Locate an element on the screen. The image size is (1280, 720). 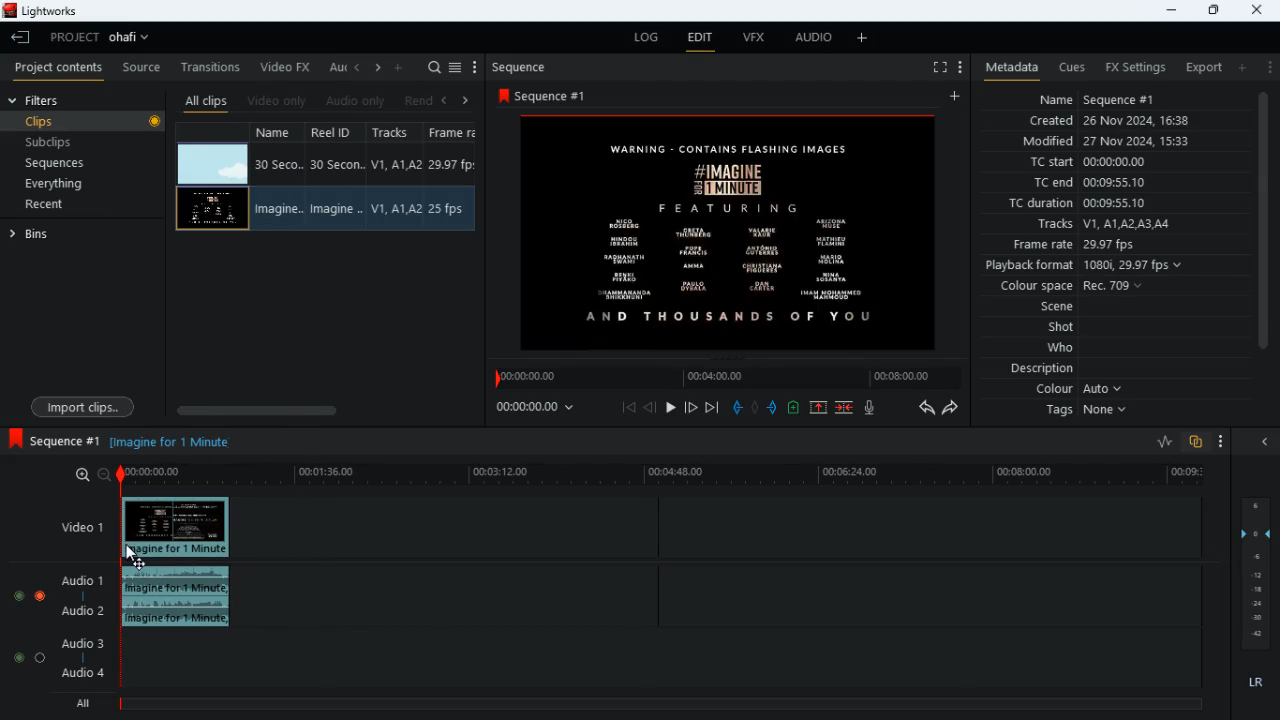
audio is located at coordinates (814, 40).